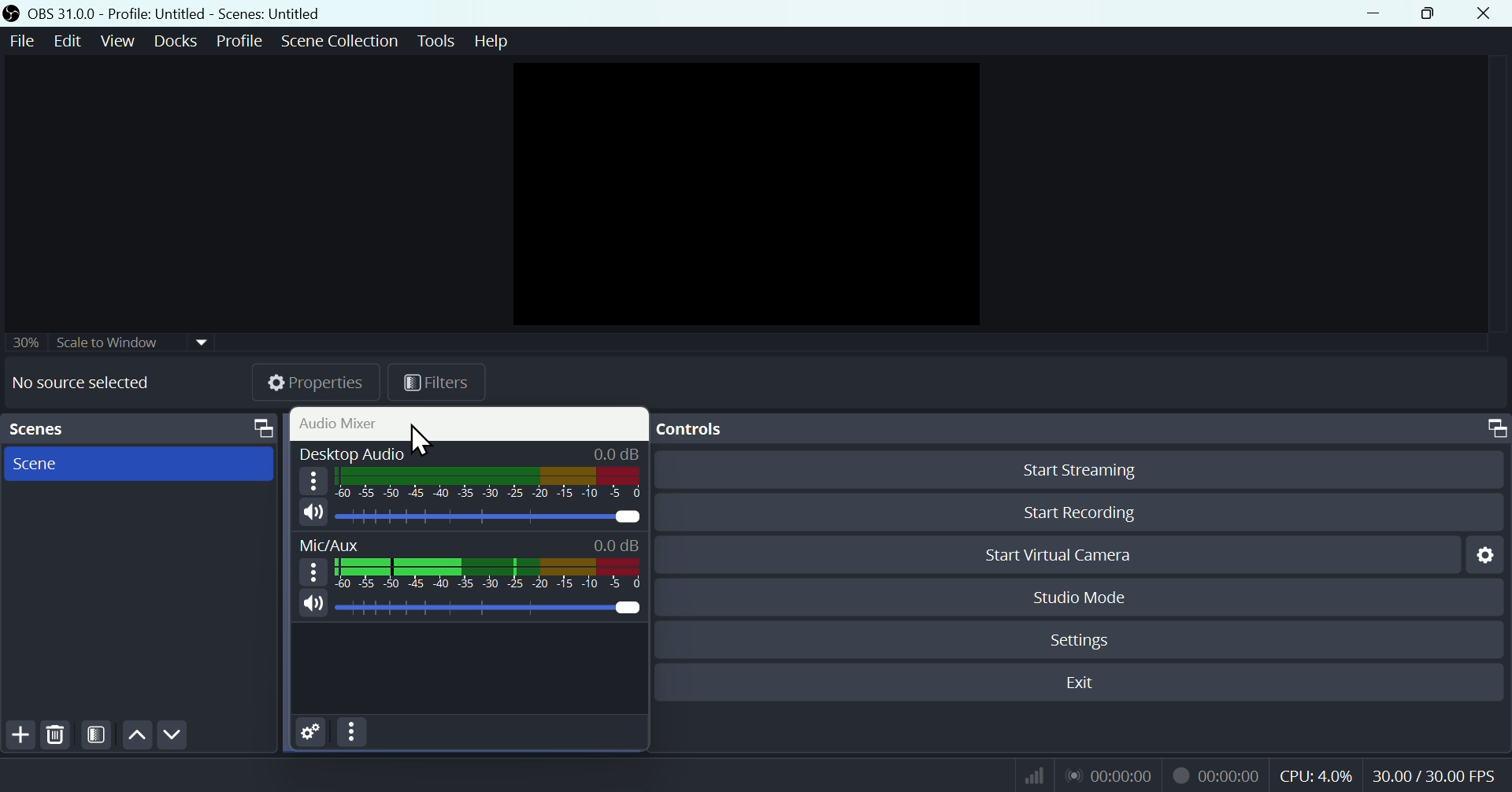 This screenshot has width=1512, height=792. Describe the element at coordinates (1315, 776) in the screenshot. I see `CPU Usage` at that location.